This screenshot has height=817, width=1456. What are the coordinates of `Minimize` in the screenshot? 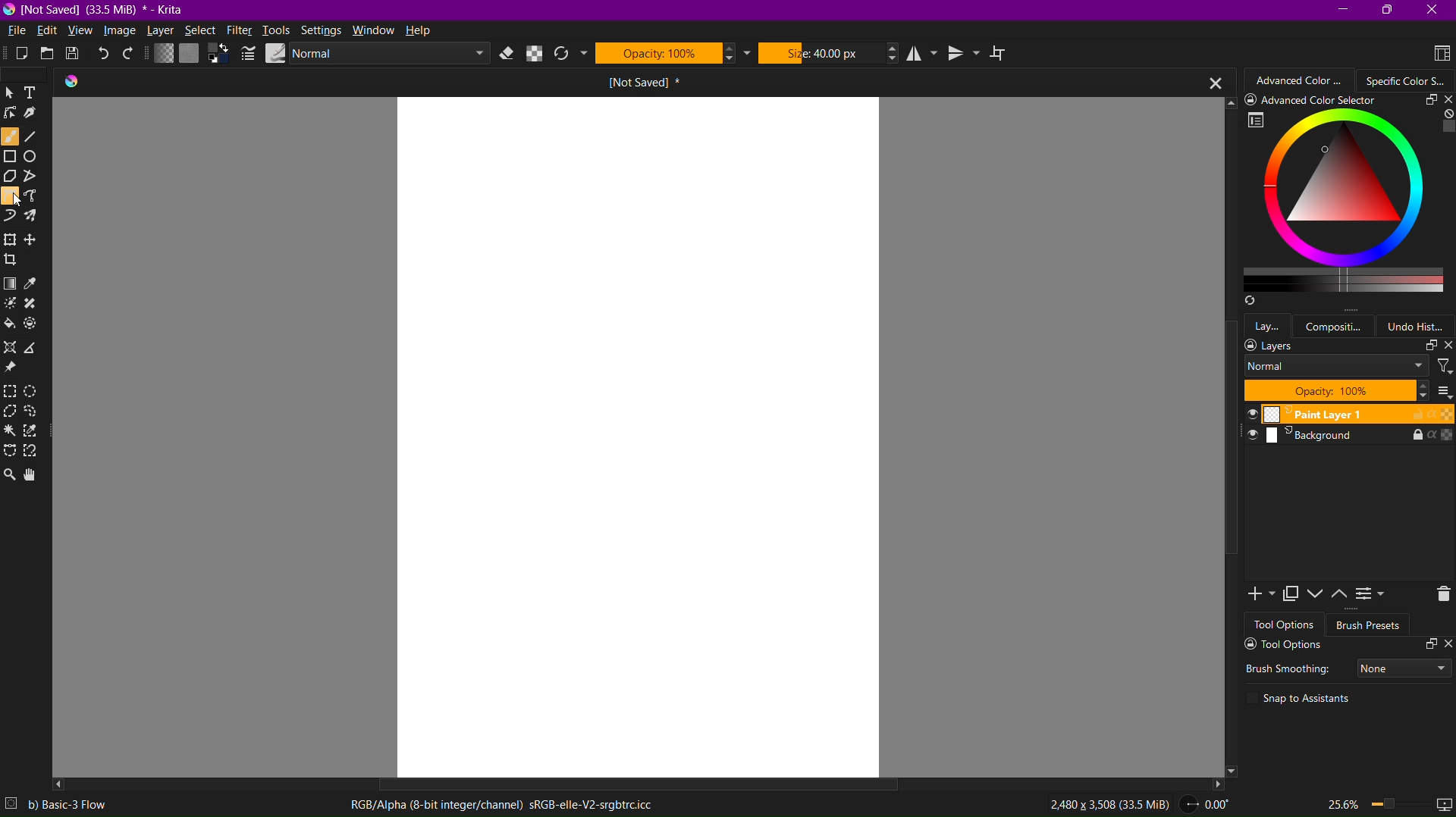 It's located at (1341, 9).